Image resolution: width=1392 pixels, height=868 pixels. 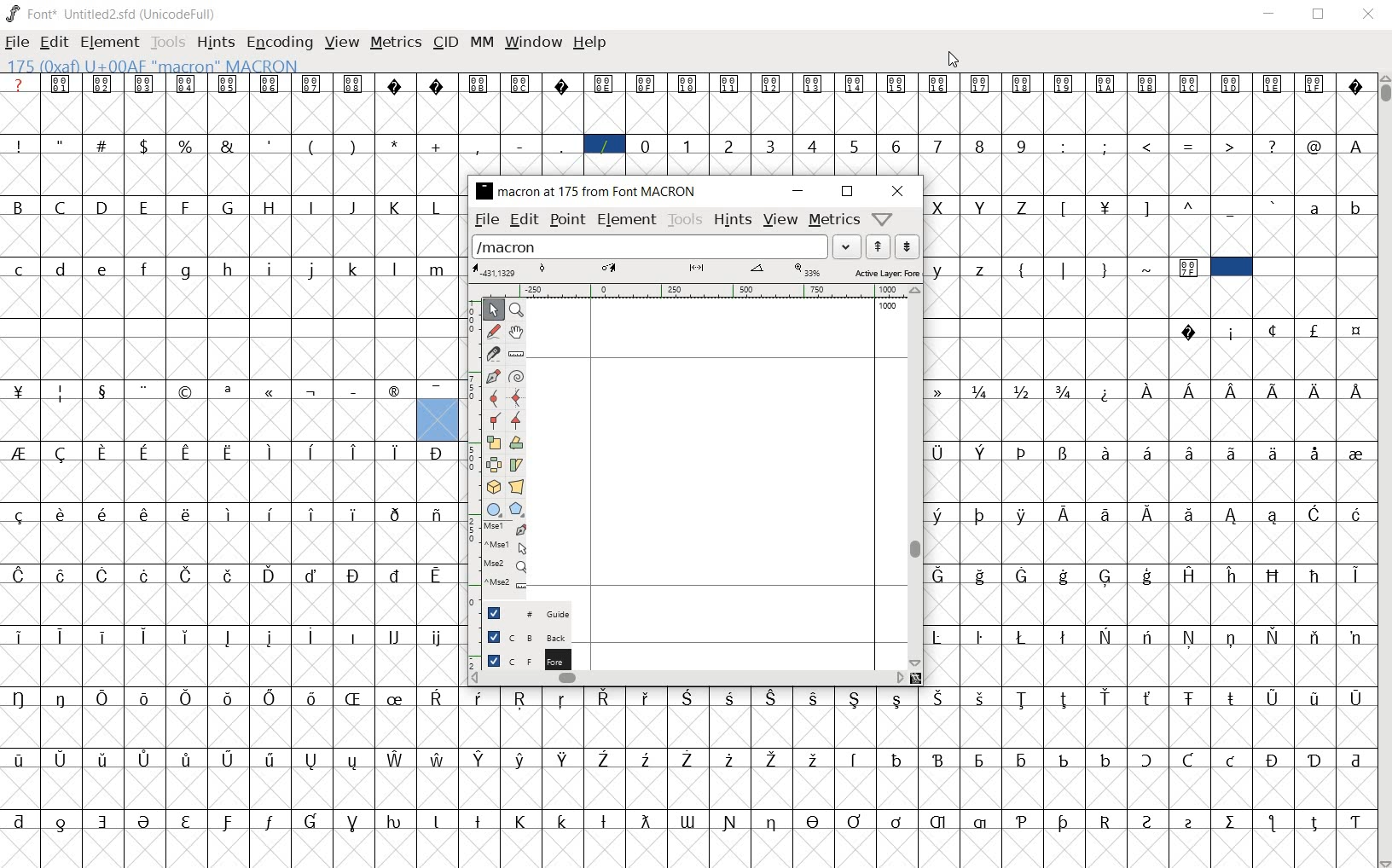 What do you see at coordinates (1066, 698) in the screenshot?
I see `Symbol` at bounding box center [1066, 698].